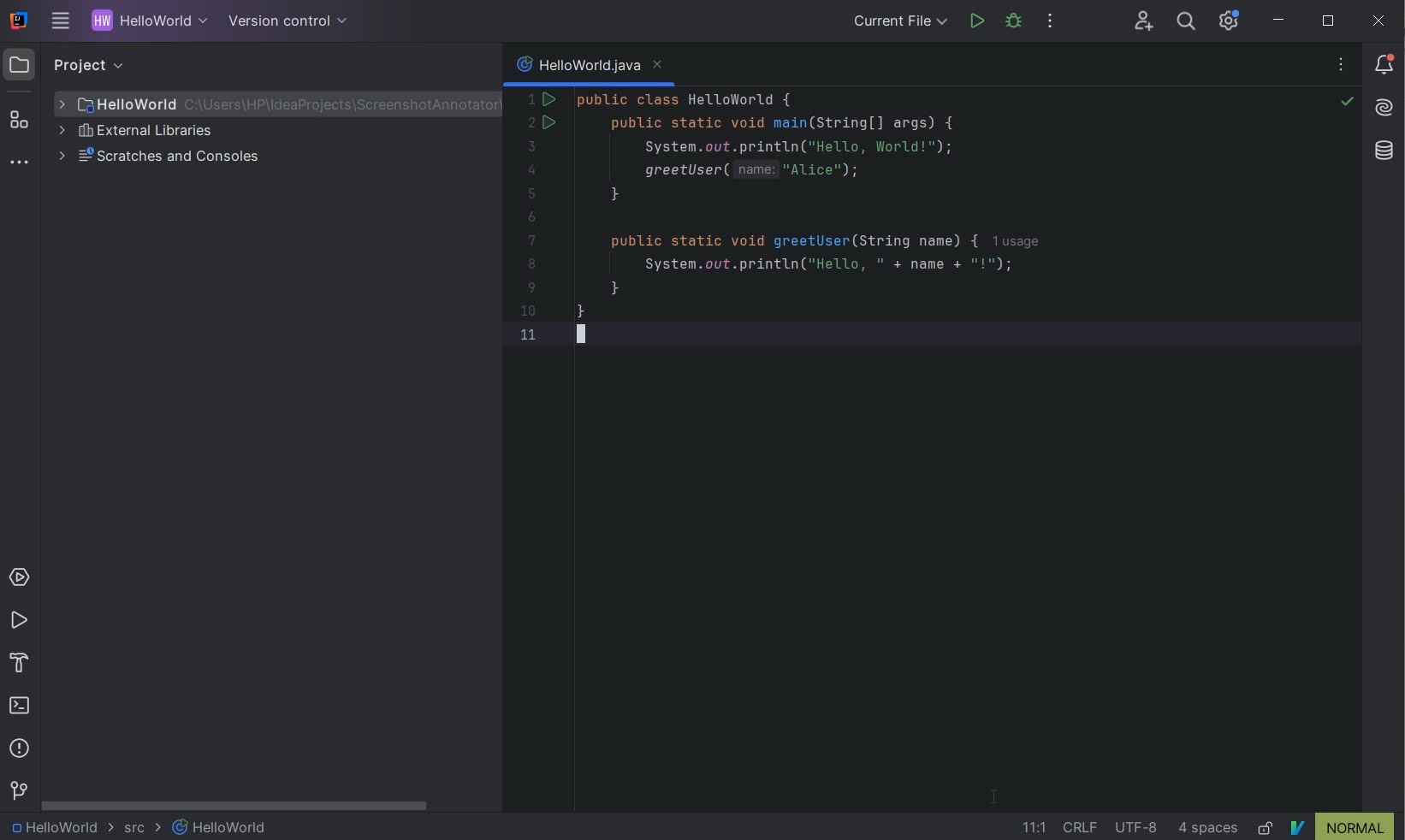 The image size is (1405, 840). What do you see at coordinates (900, 23) in the screenshot?
I see `CURRENT FILE` at bounding box center [900, 23].